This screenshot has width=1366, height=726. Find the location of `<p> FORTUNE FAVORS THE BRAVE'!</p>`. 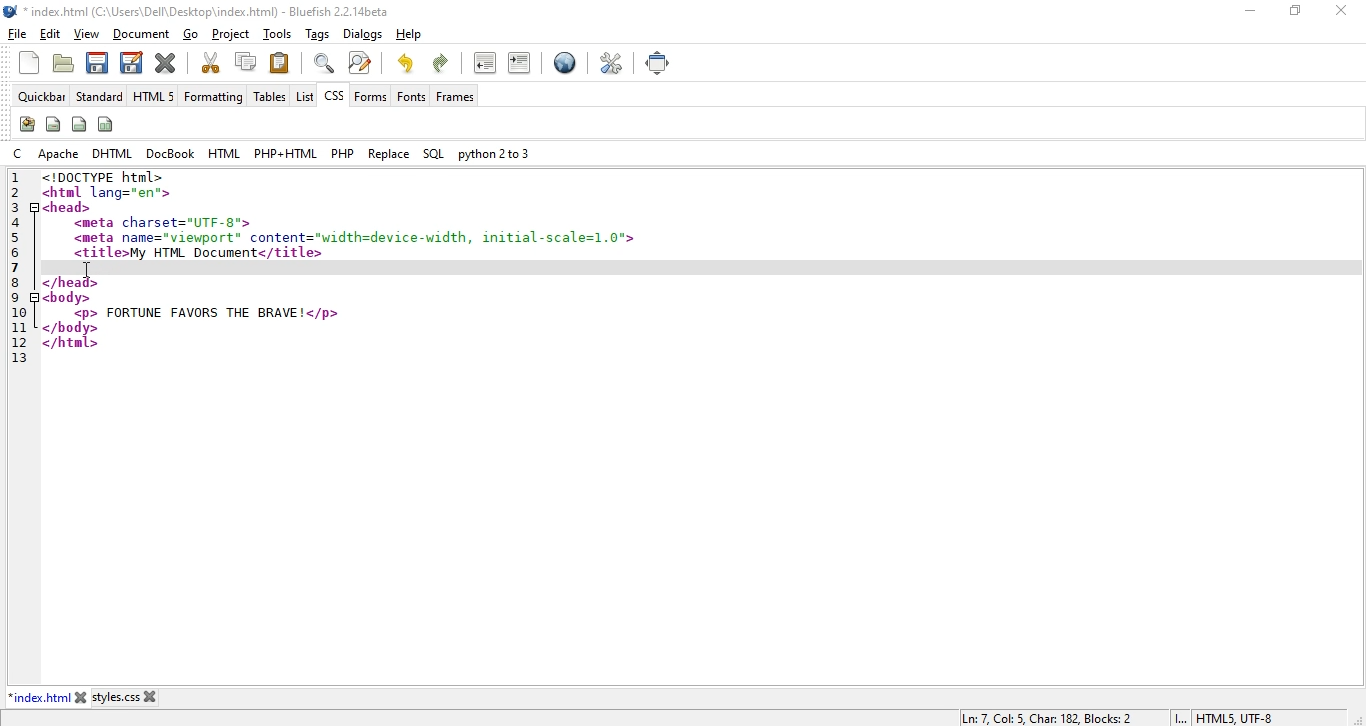

<p> FORTUNE FAVORS THE BRAVE'!</p> is located at coordinates (205, 313).